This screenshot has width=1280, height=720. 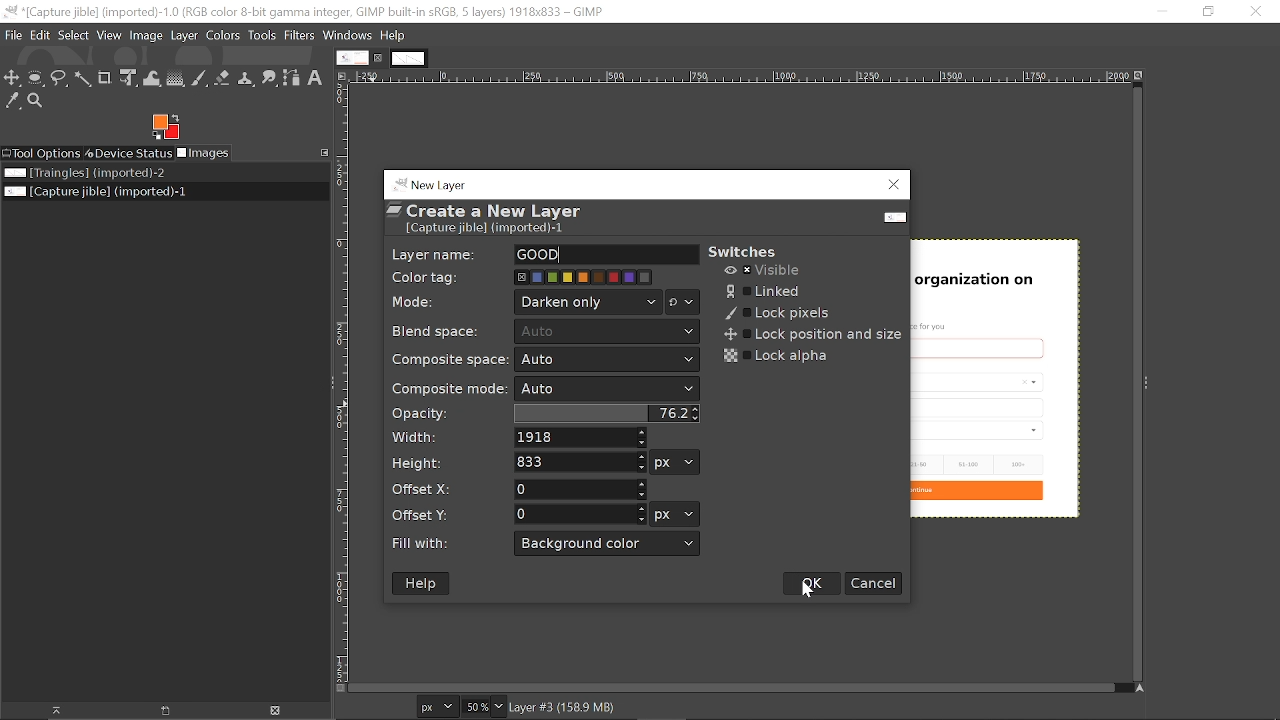 I want to click on Color tag, so click(x=584, y=277).